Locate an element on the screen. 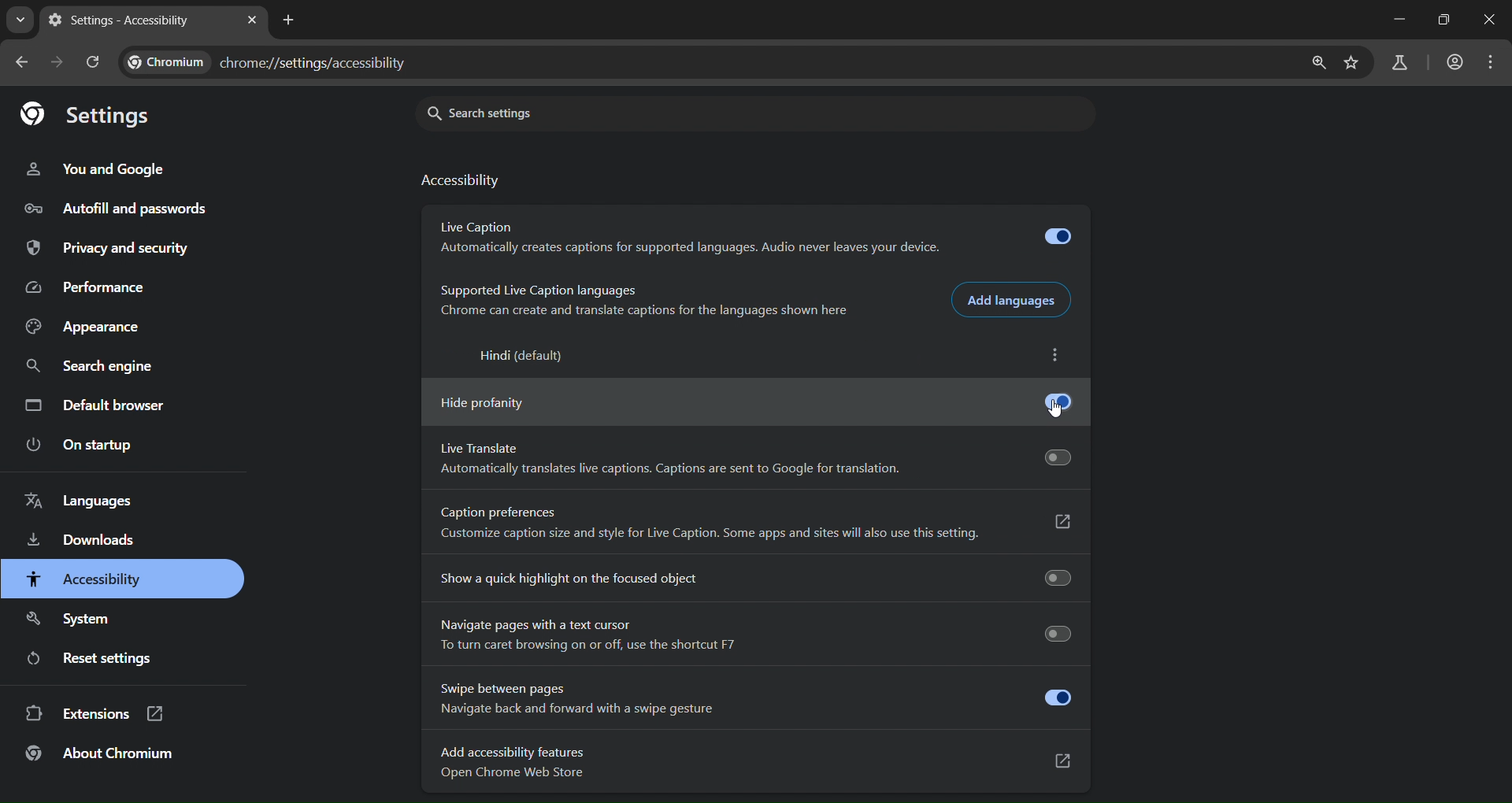  cursor is located at coordinates (1055, 411).